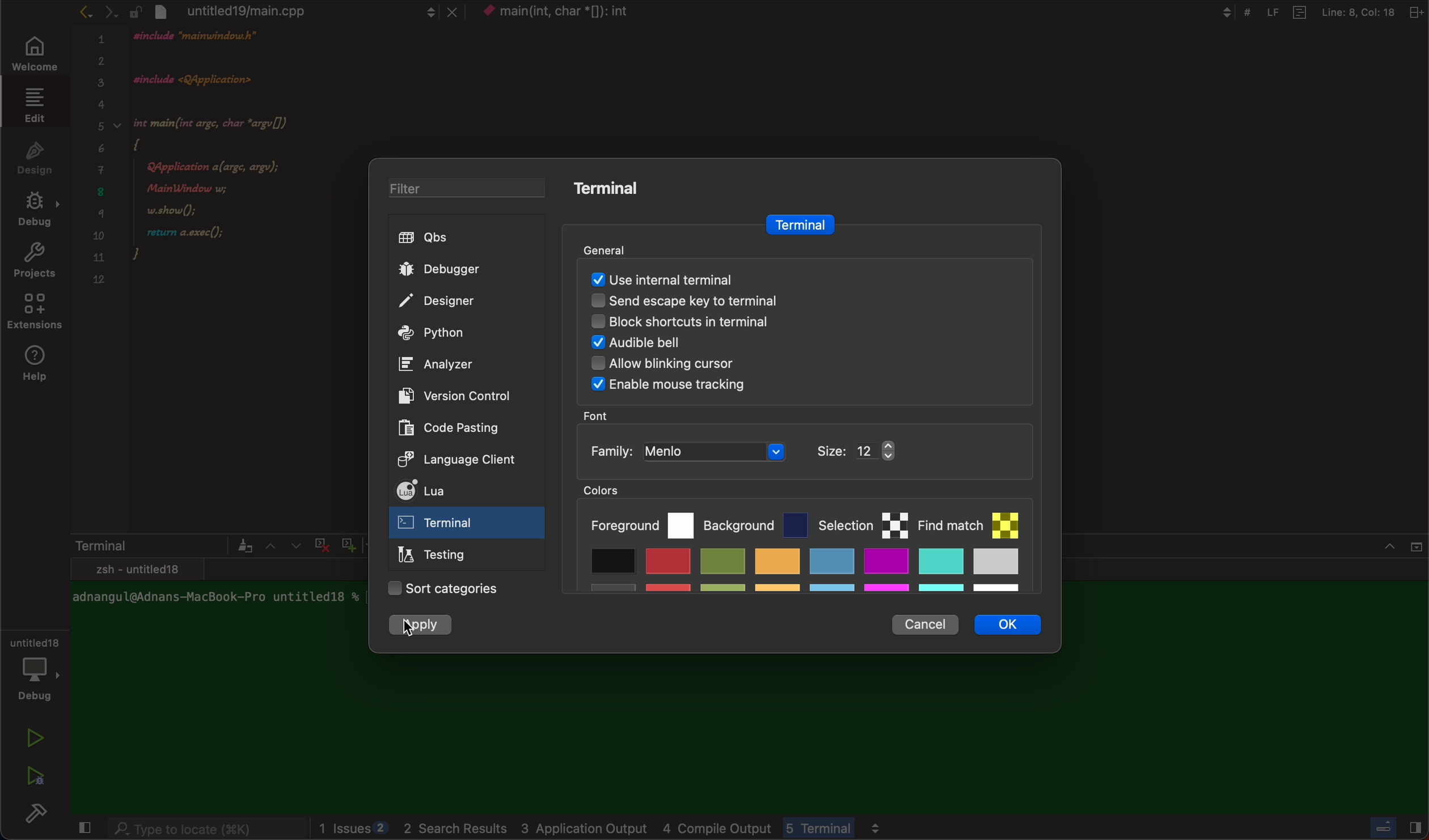  Describe the element at coordinates (452, 493) in the screenshot. I see `lua` at that location.